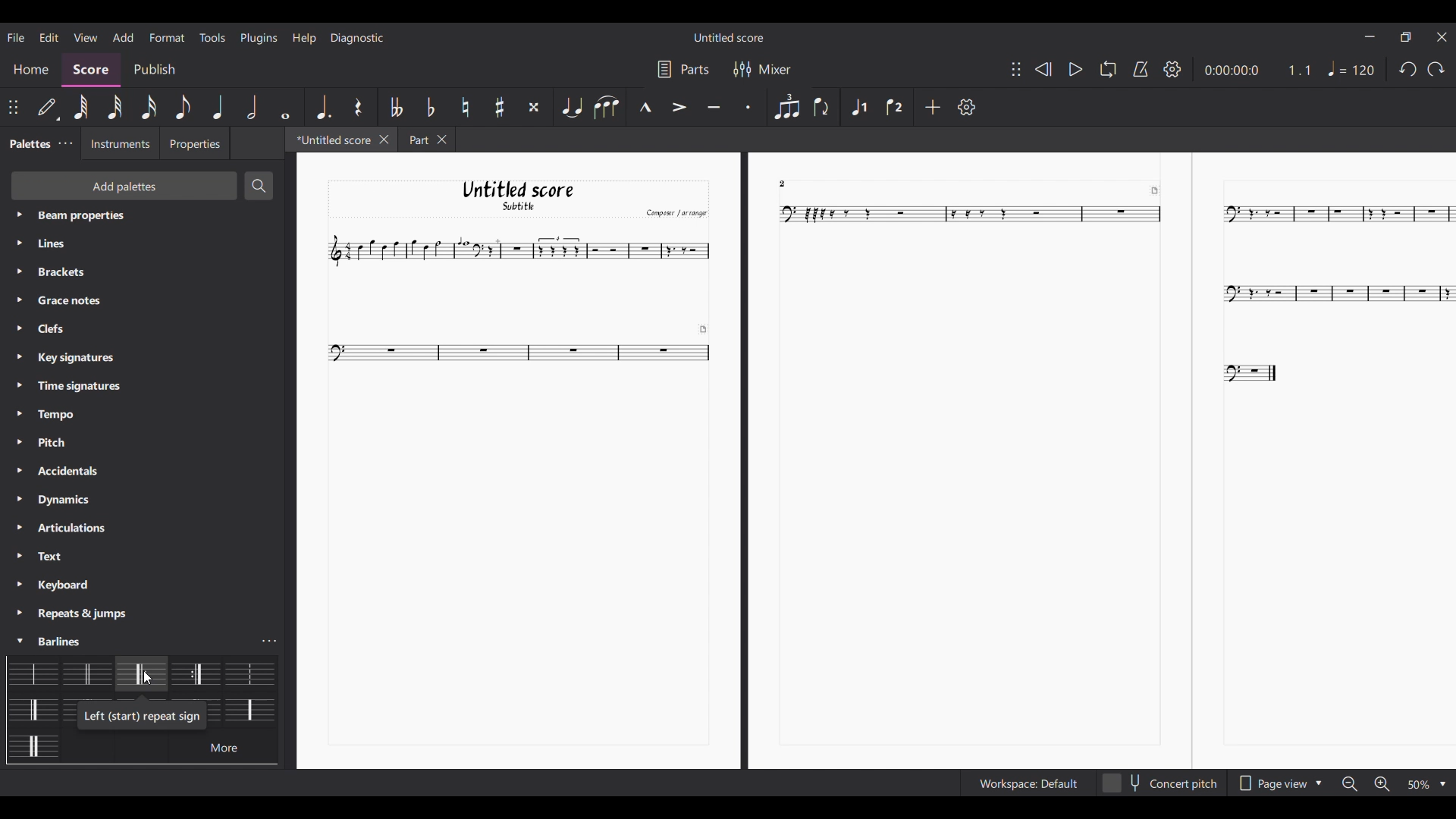 Image resolution: width=1456 pixels, height=819 pixels. Describe the element at coordinates (224, 747) in the screenshot. I see `more` at that location.